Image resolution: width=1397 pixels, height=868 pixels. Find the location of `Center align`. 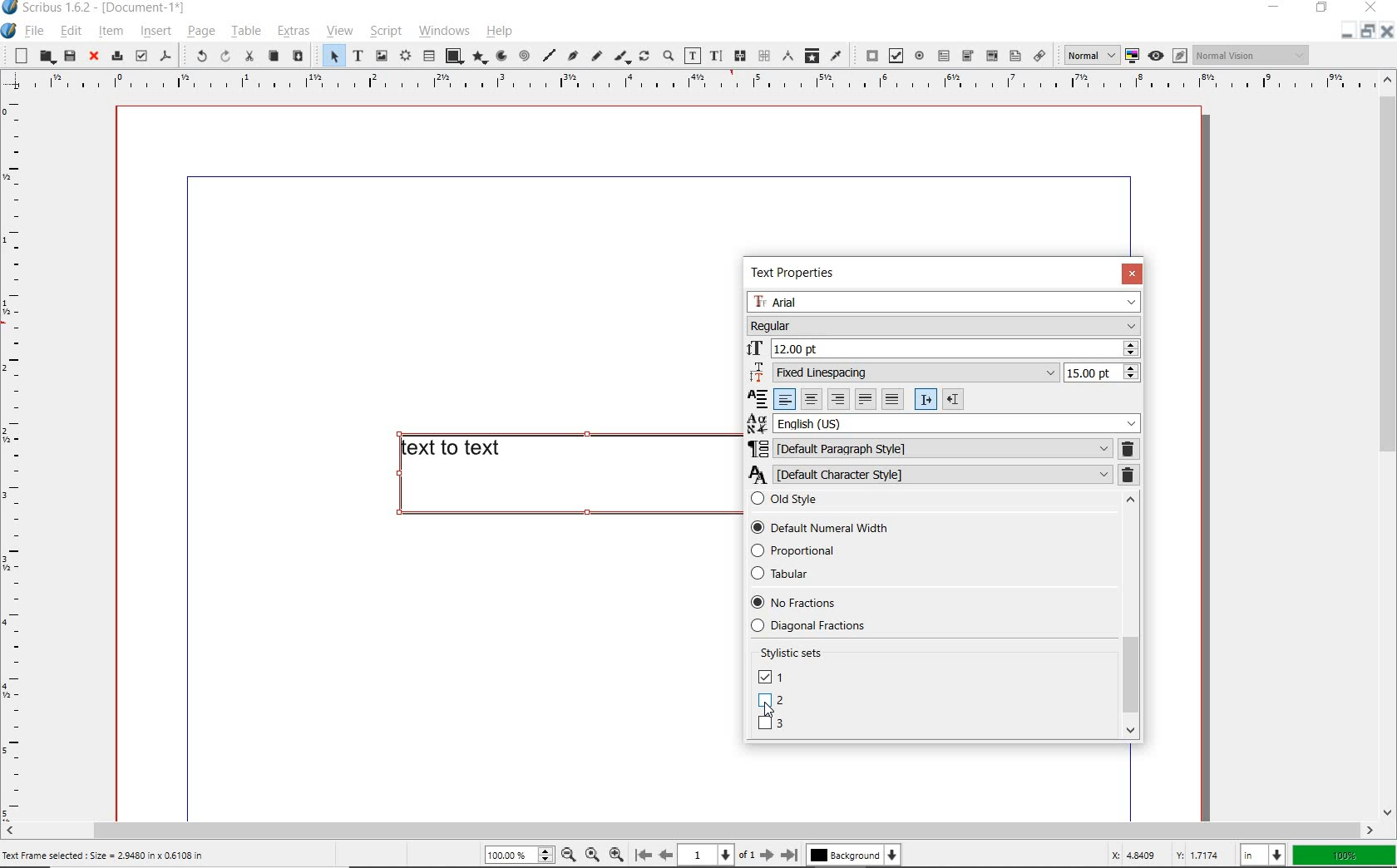

Center align is located at coordinates (811, 399).